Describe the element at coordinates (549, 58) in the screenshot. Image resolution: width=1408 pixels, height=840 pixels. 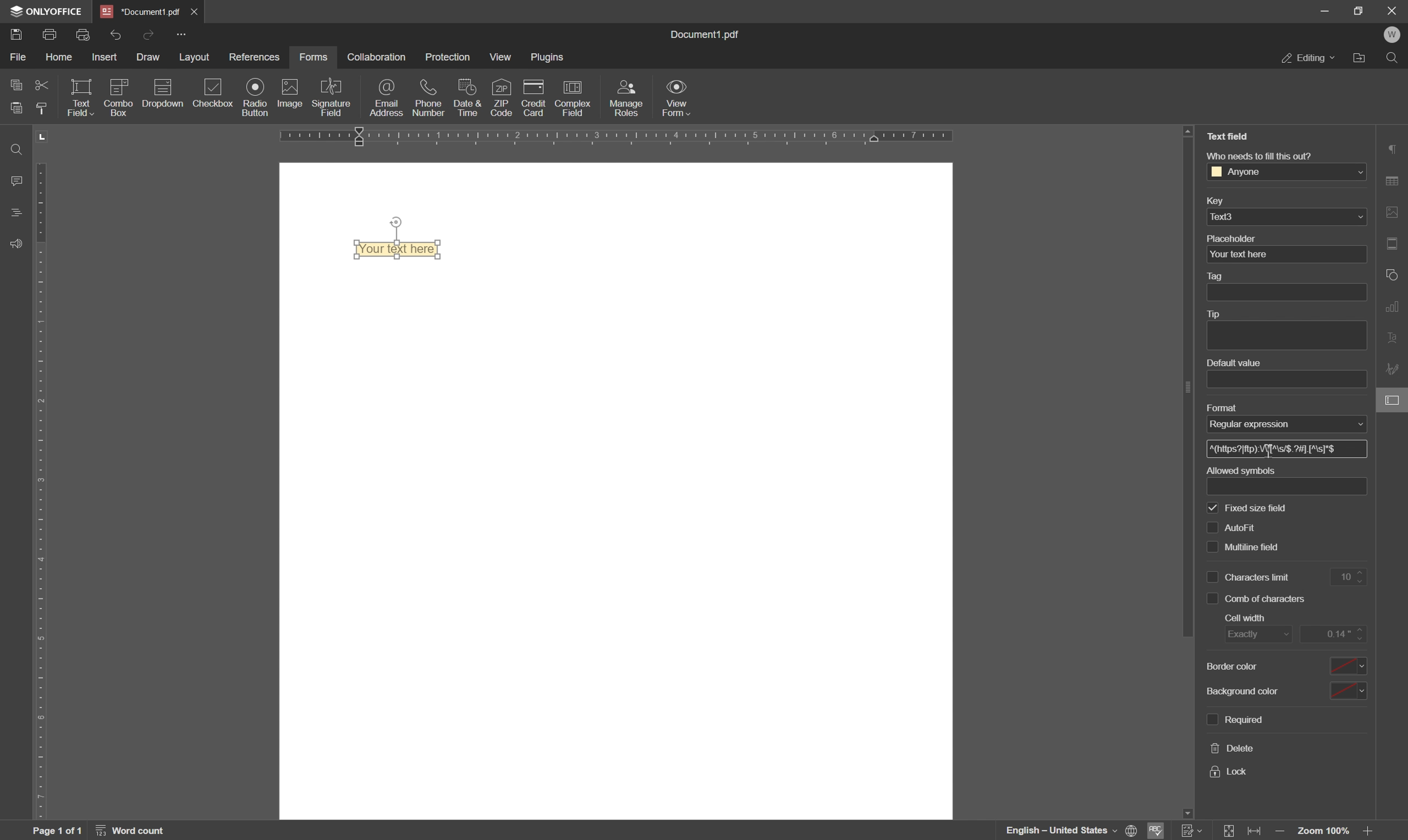
I see `plugins` at that location.